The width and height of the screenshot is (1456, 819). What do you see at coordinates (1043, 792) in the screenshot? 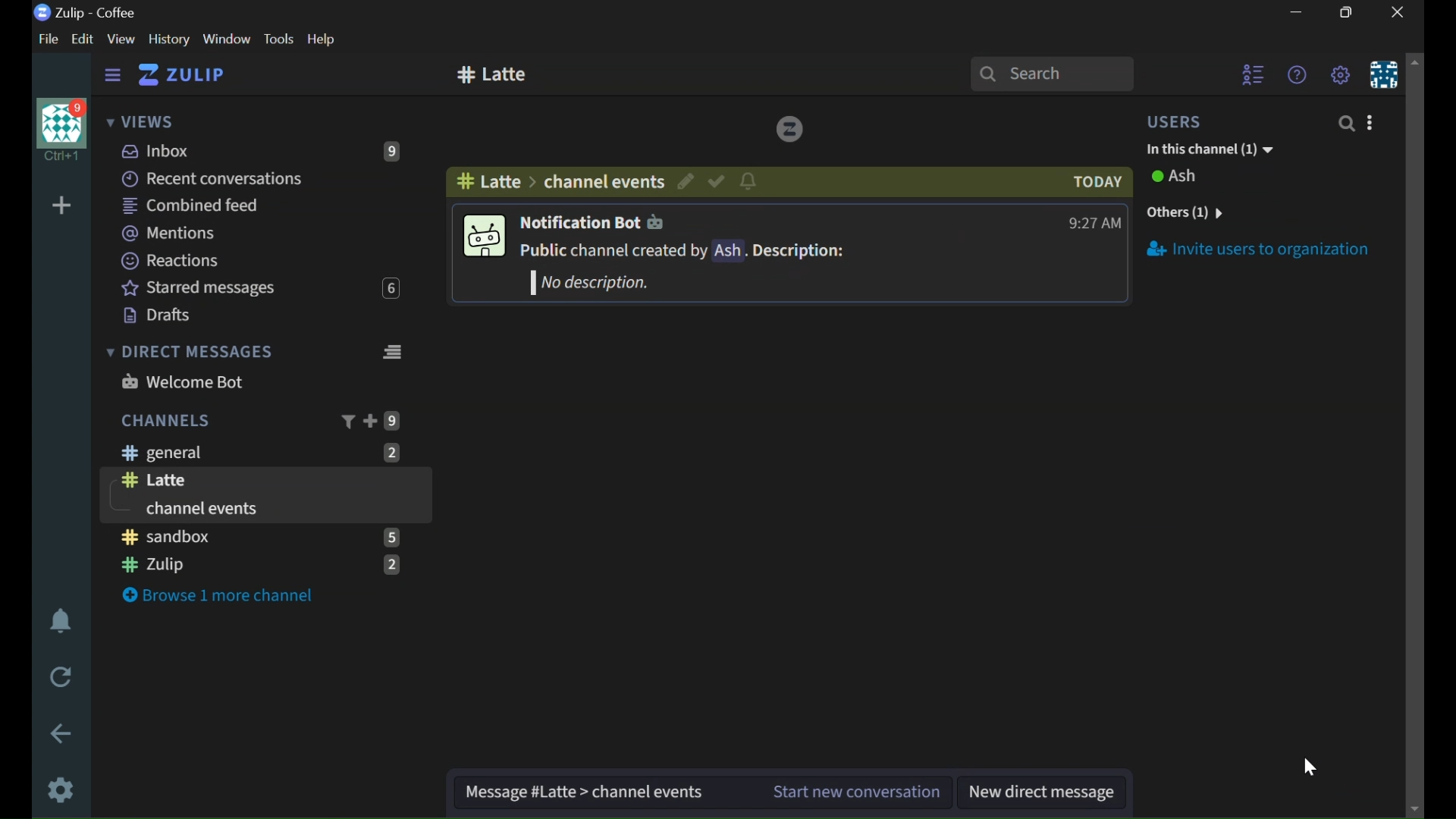
I see `New direct message` at bounding box center [1043, 792].